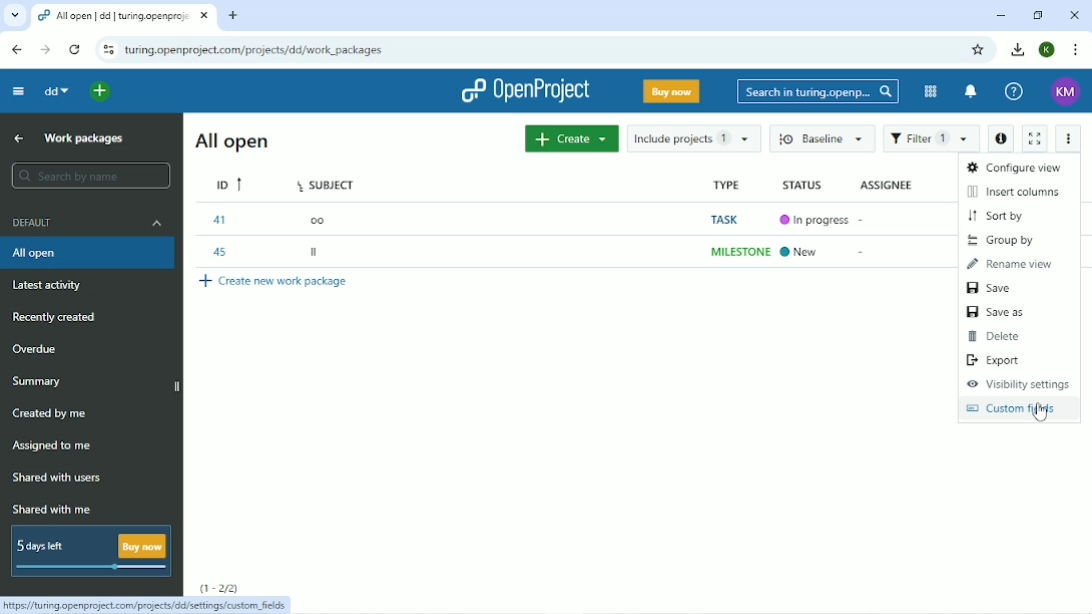 The height and width of the screenshot is (614, 1092). What do you see at coordinates (814, 220) in the screenshot?
I see `Status` at bounding box center [814, 220].